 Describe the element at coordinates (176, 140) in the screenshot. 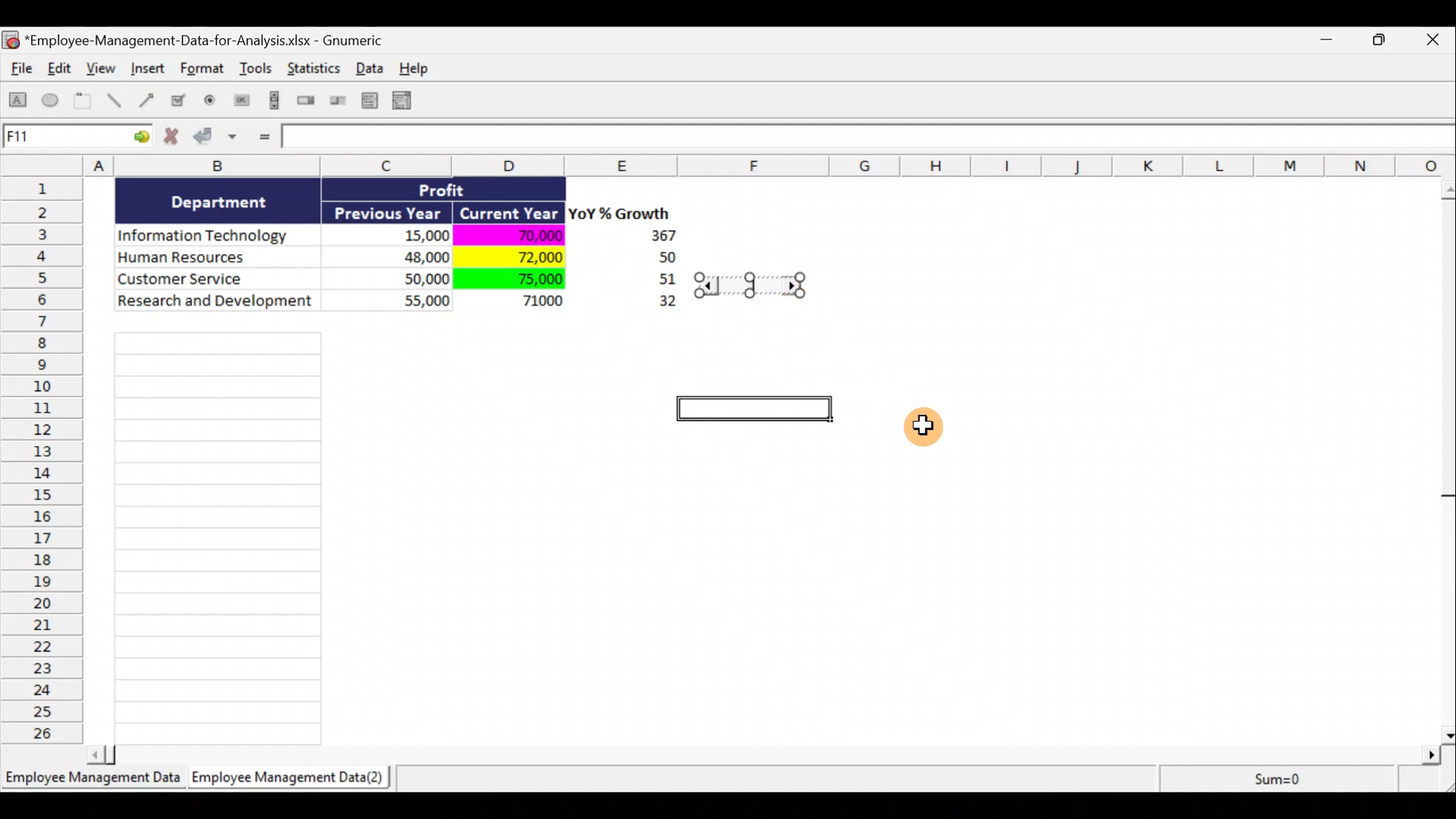

I see `Cancel change` at that location.